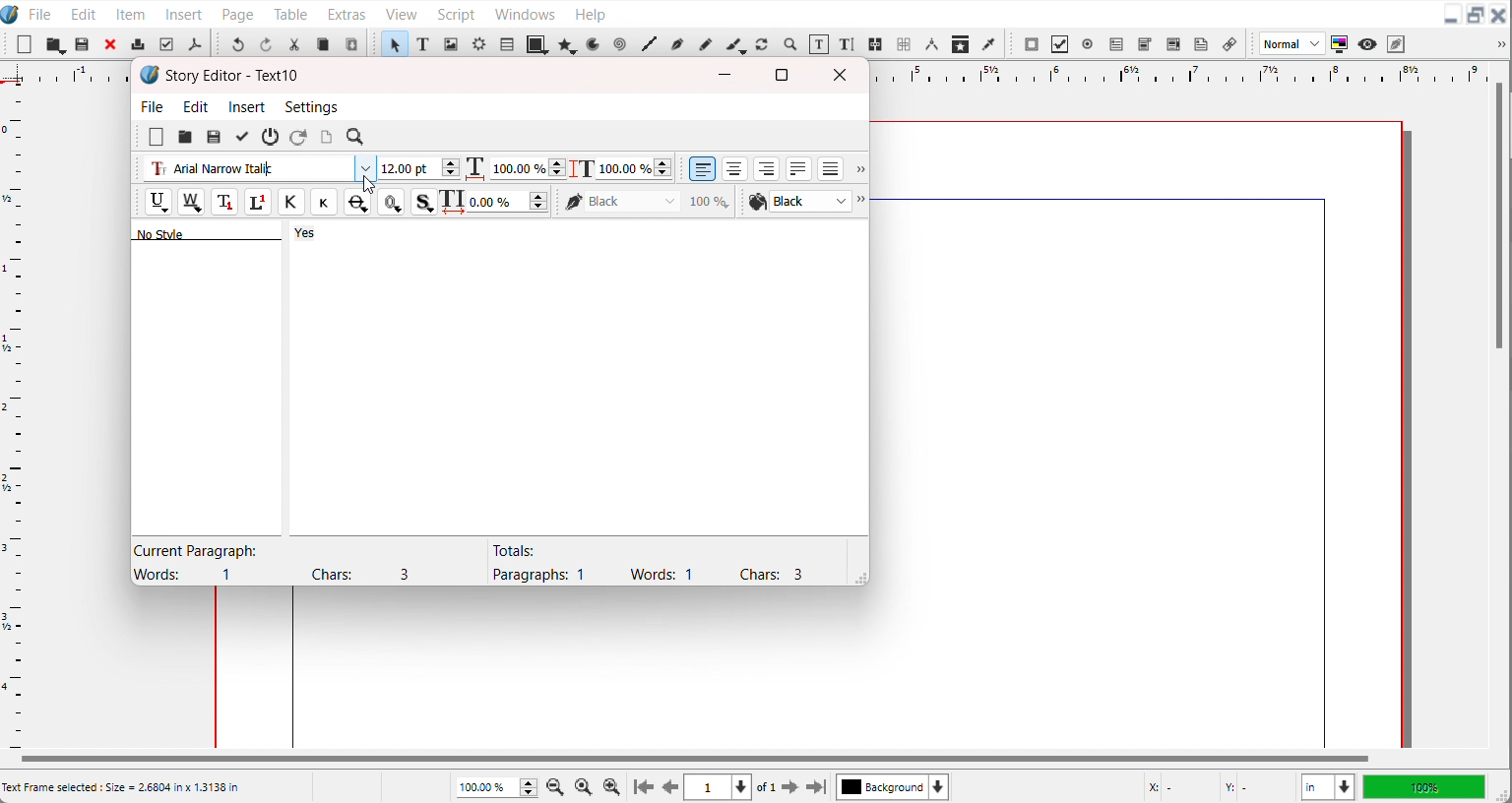 The width and height of the screenshot is (1512, 803). What do you see at coordinates (528, 168) in the screenshot?
I see `Text width adjuster` at bounding box center [528, 168].